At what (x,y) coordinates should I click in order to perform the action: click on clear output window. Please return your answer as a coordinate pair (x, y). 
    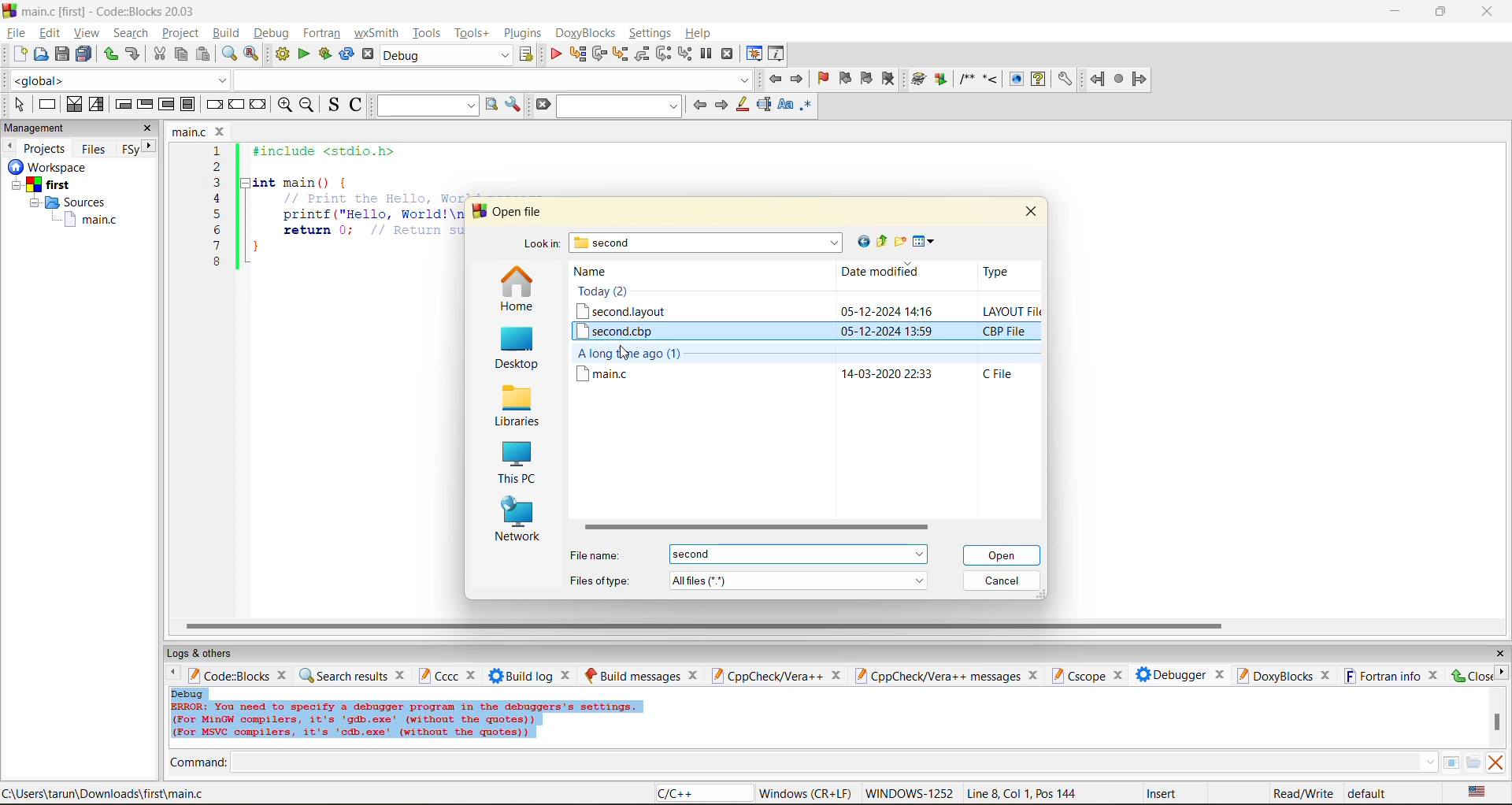
    Looking at the image, I should click on (1495, 762).